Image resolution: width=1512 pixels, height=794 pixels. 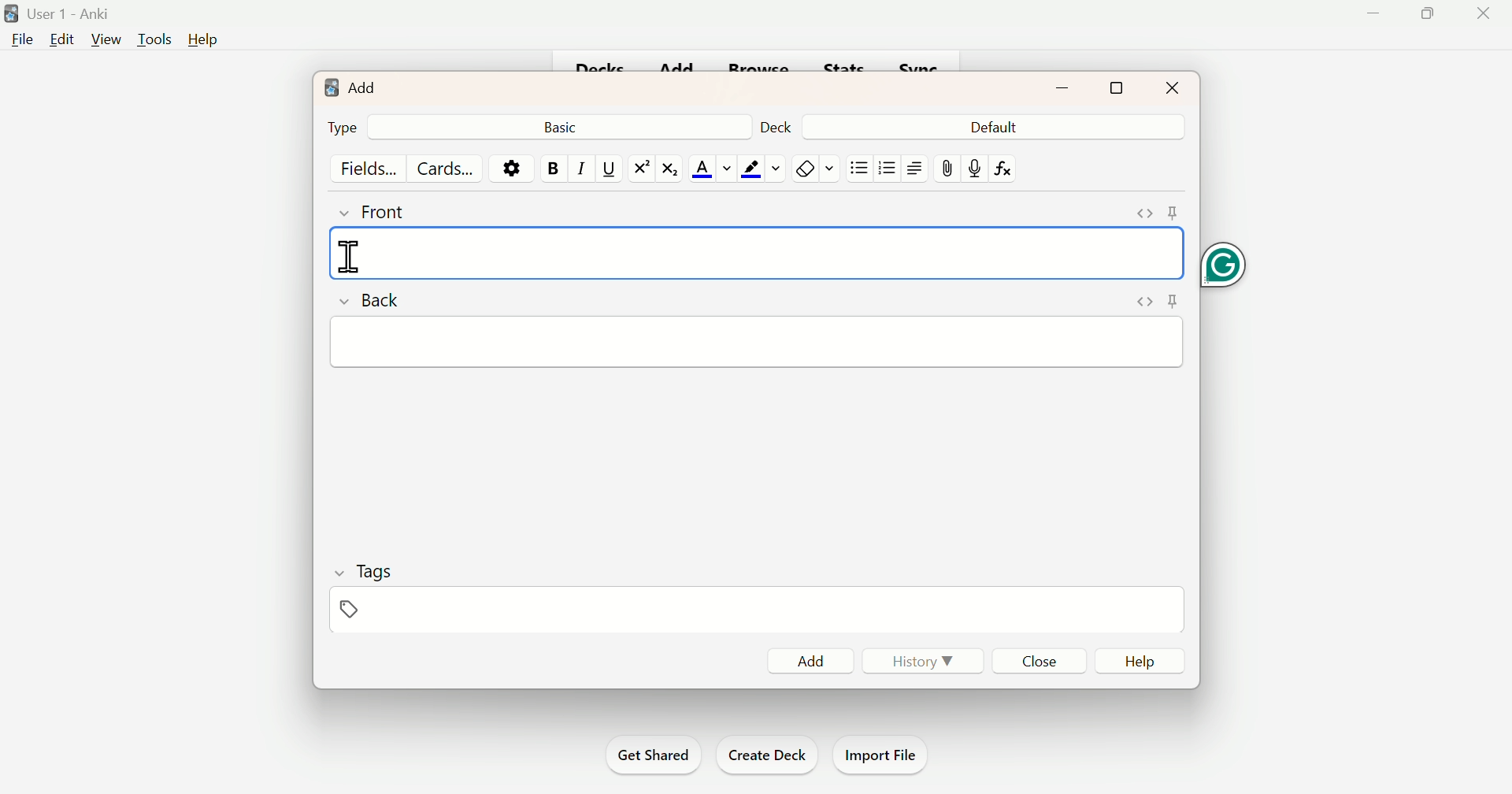 I want to click on Maximize, so click(x=1432, y=15).